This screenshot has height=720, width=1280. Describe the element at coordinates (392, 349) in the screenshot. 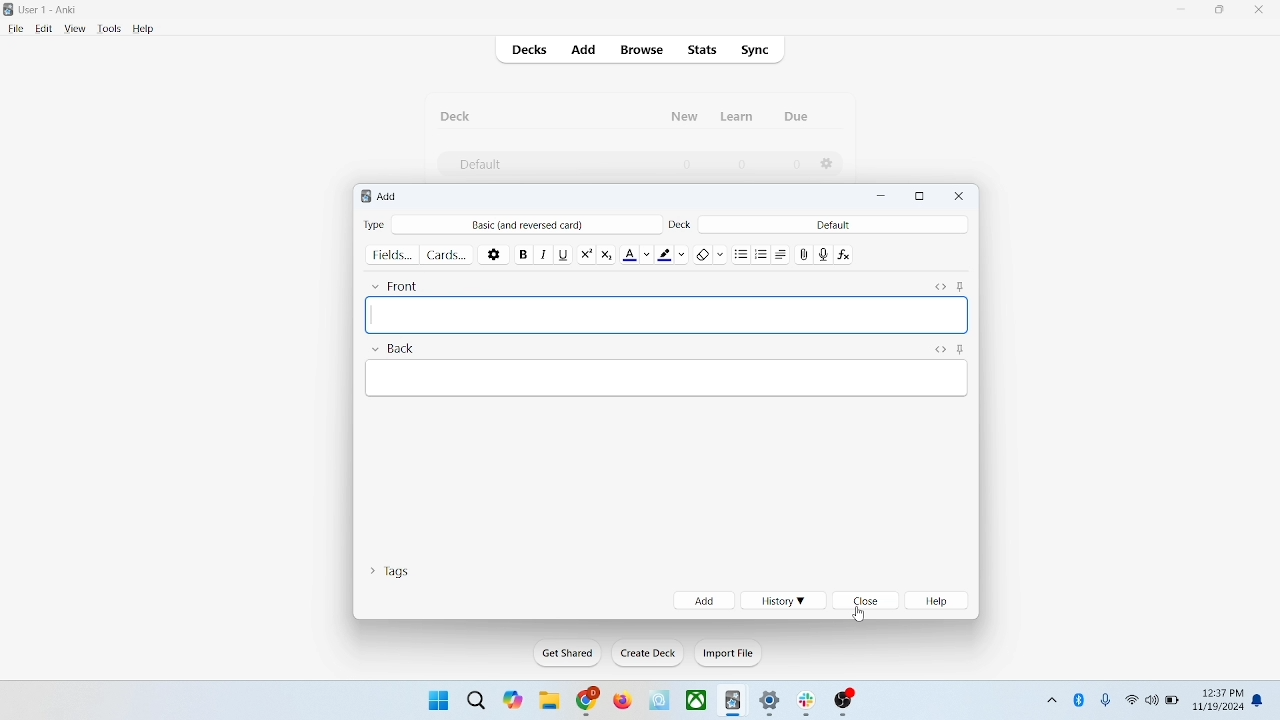

I see `back` at that location.